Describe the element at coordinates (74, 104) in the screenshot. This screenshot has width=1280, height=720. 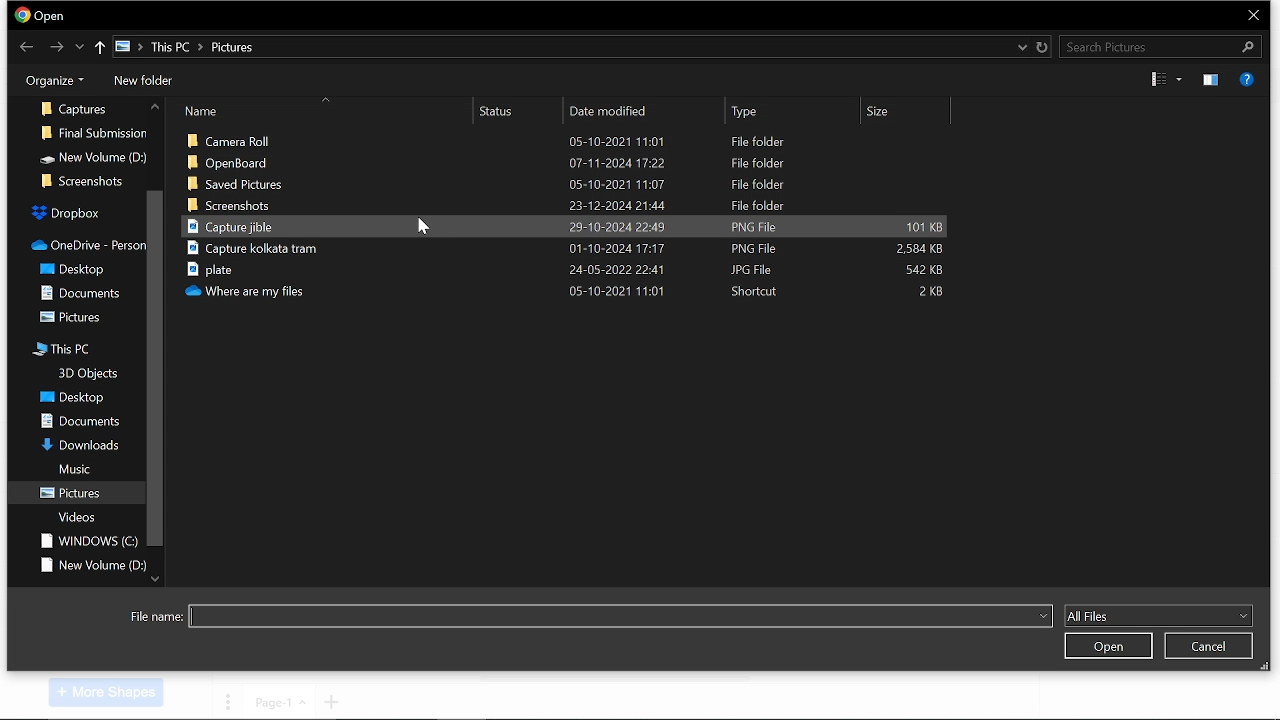
I see `folders` at that location.